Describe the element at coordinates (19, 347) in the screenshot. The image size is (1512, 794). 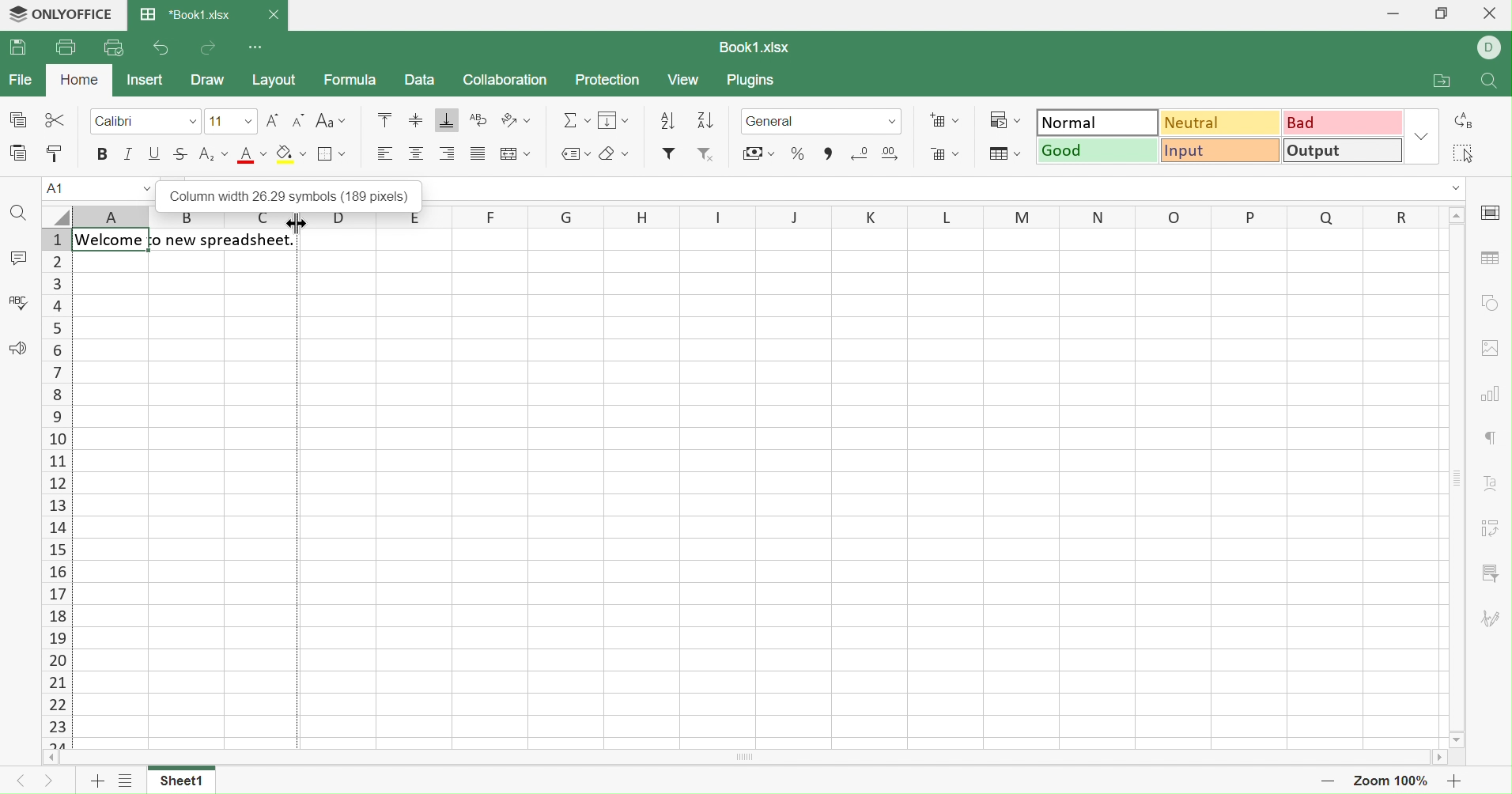
I see `Feedback & Support` at that location.